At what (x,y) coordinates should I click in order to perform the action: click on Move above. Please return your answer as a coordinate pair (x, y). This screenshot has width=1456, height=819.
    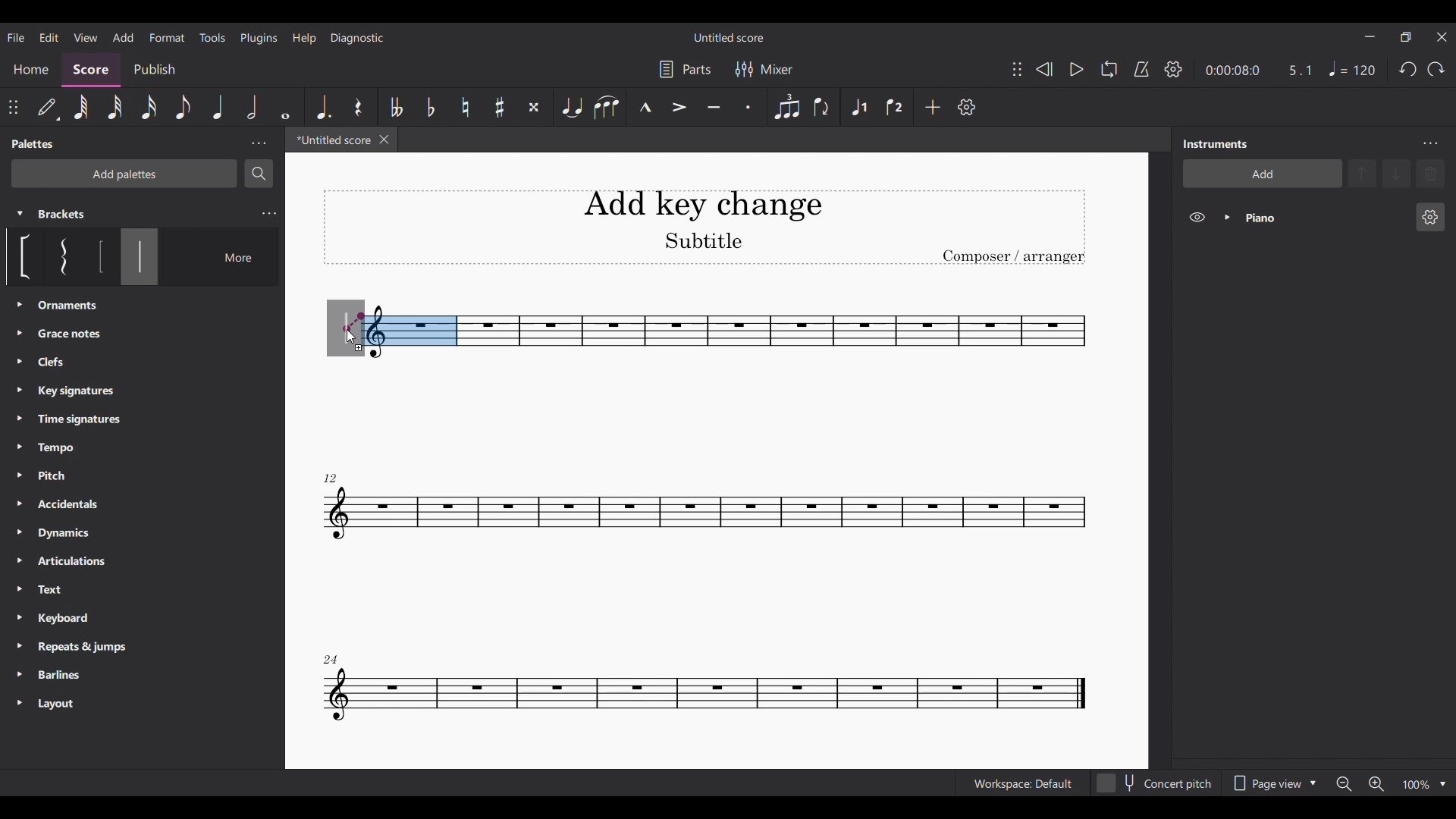
    Looking at the image, I should click on (1362, 174).